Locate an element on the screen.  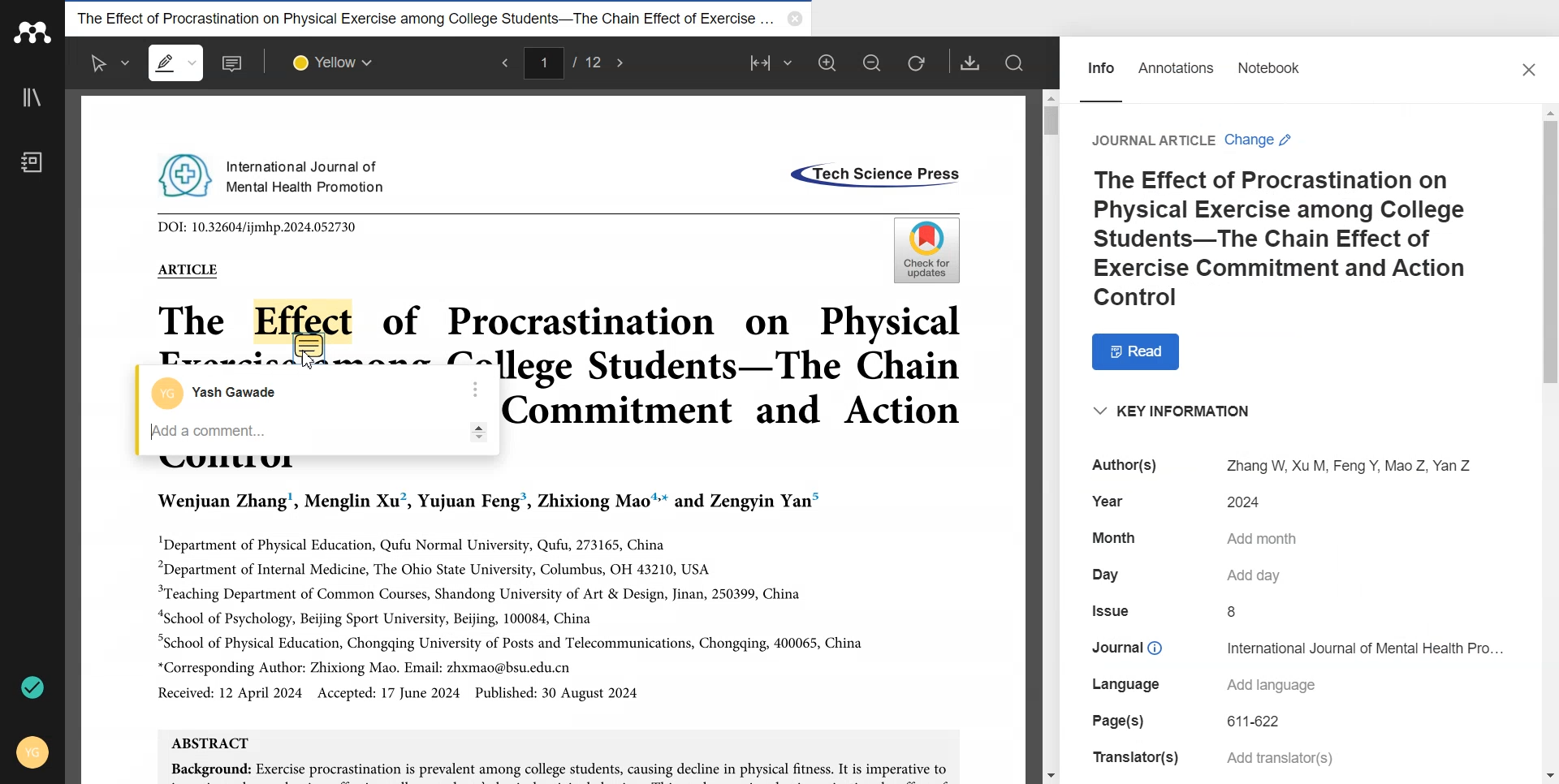
Info is located at coordinates (1101, 72).